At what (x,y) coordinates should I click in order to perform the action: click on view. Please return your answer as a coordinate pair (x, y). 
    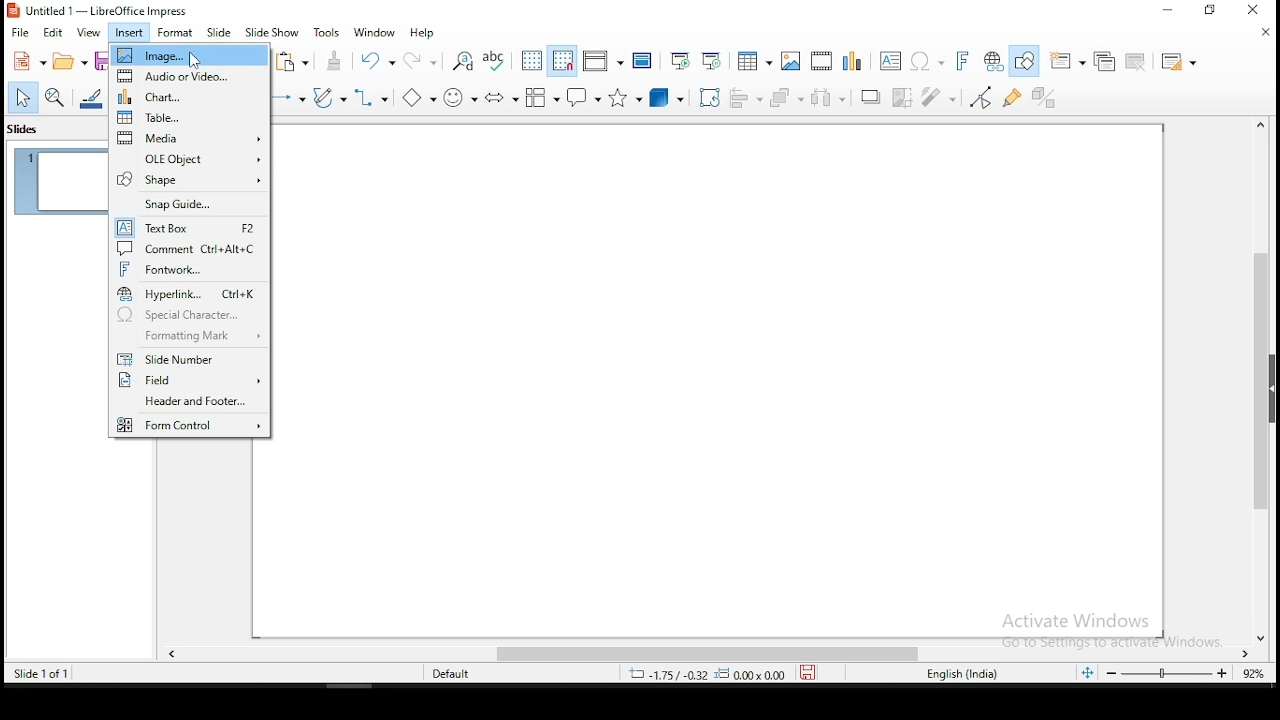
    Looking at the image, I should click on (88, 35).